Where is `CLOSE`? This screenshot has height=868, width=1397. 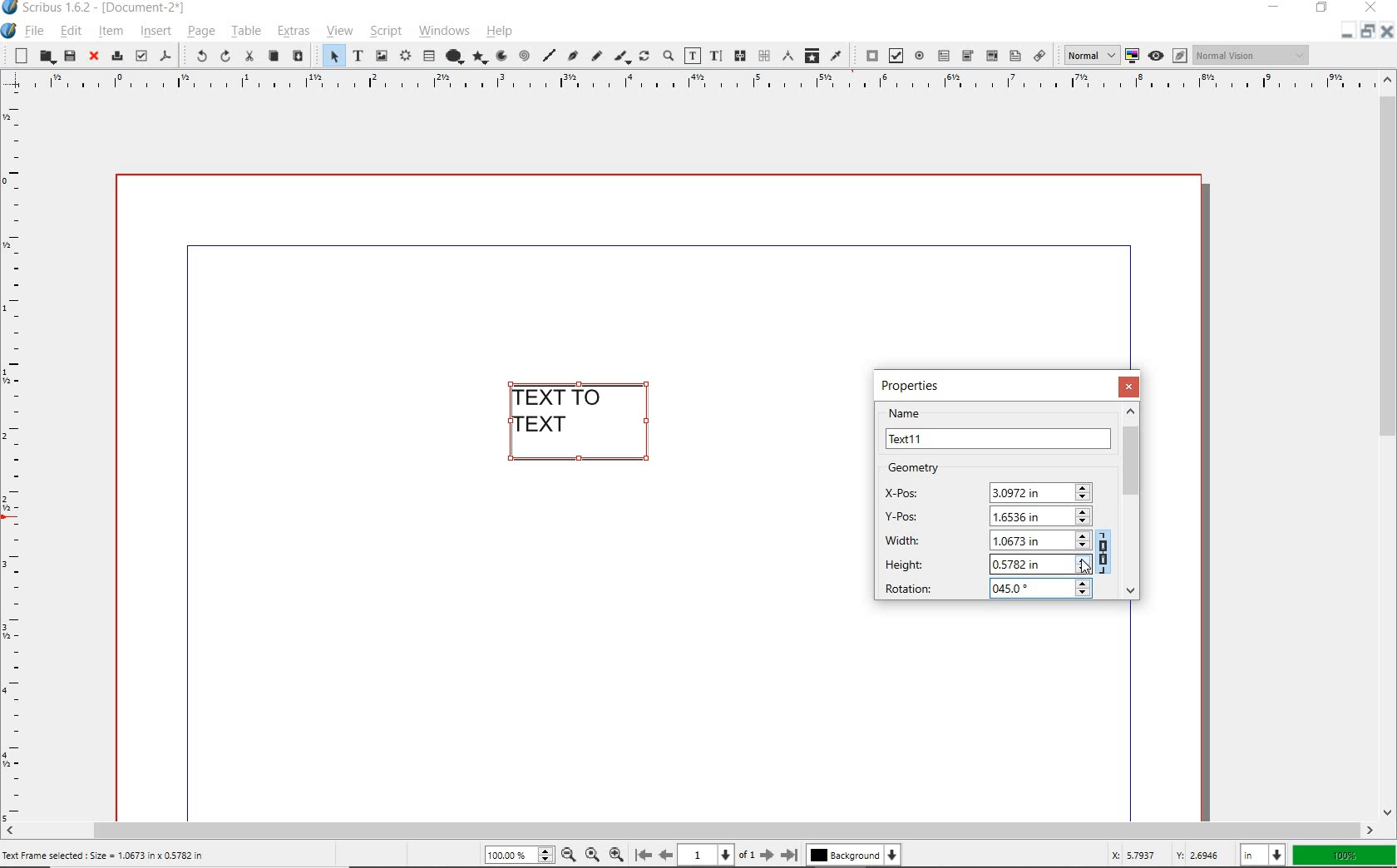
CLOSE is located at coordinates (1131, 387).